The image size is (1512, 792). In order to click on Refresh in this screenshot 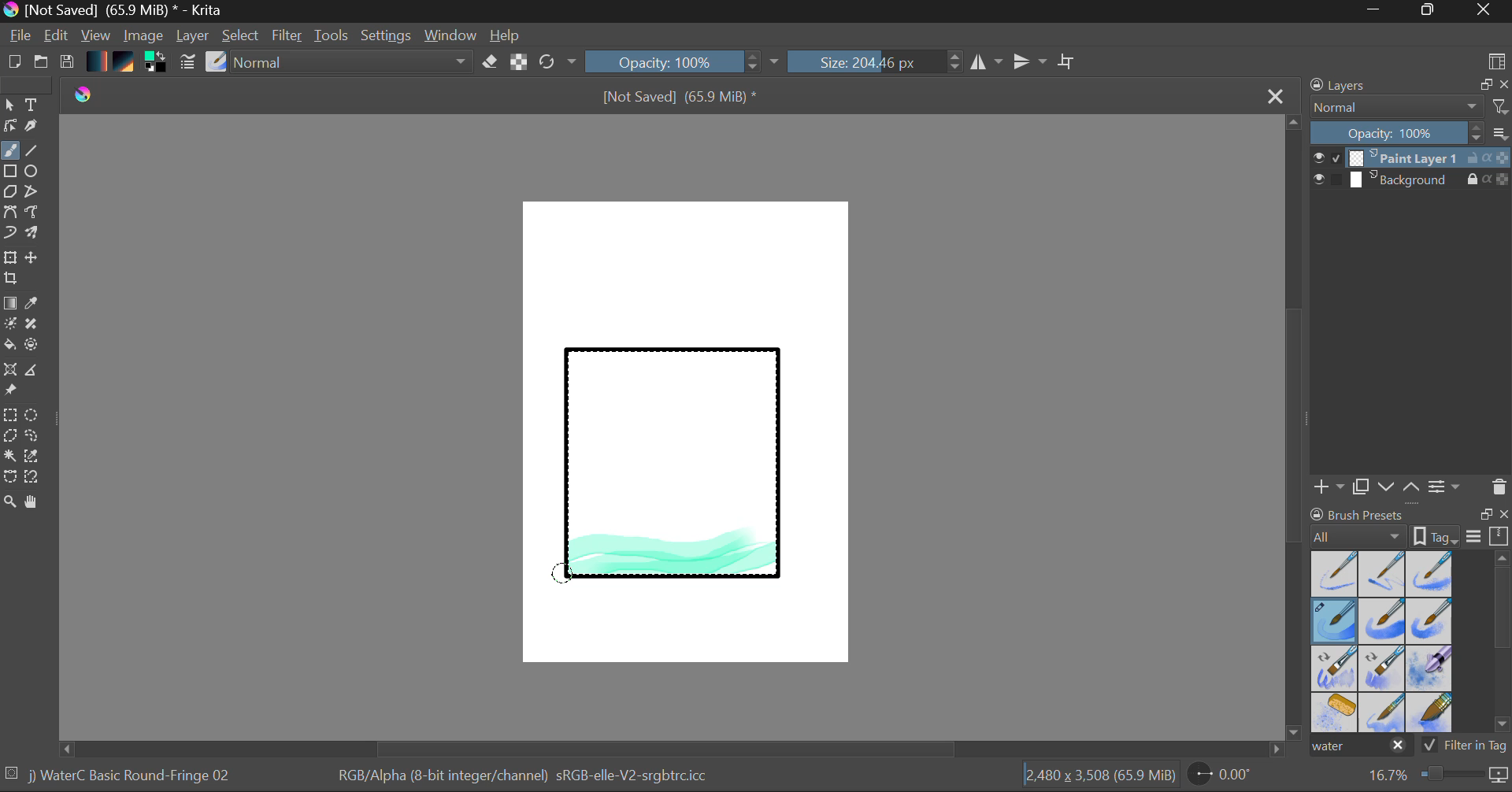, I will do `click(558, 61)`.